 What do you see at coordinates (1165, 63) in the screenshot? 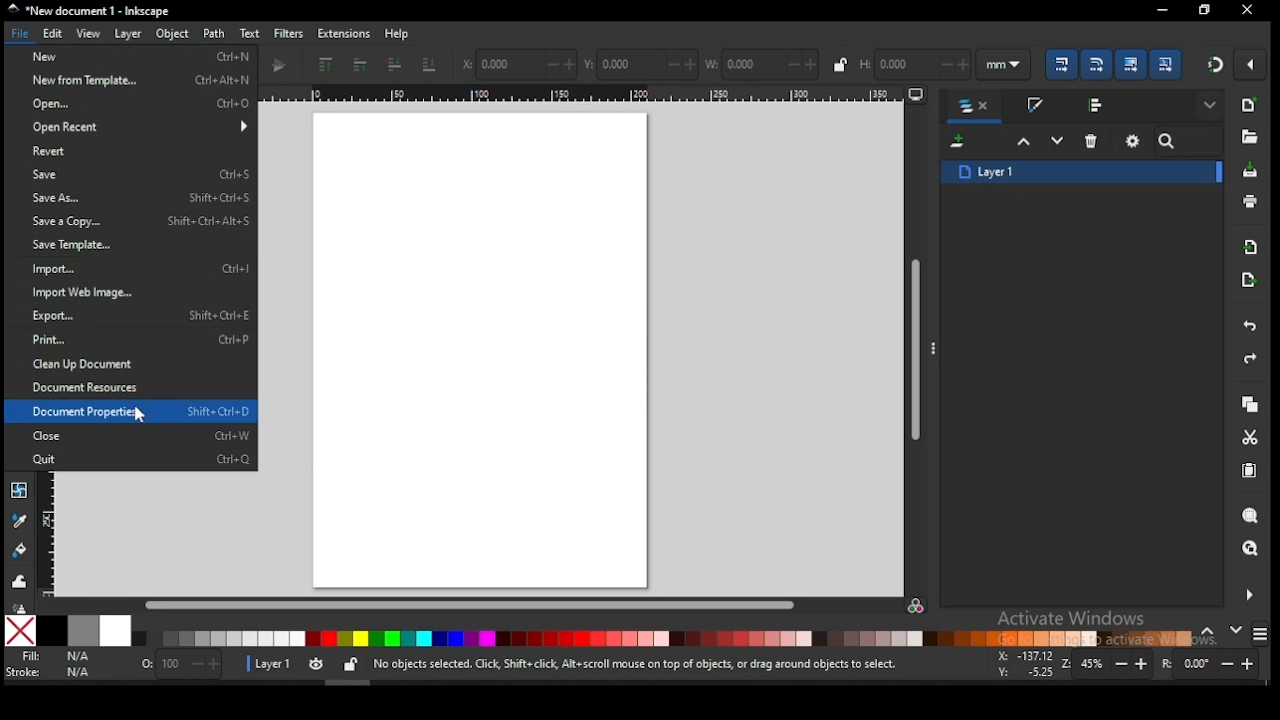
I see `move patterns along with objects` at bounding box center [1165, 63].